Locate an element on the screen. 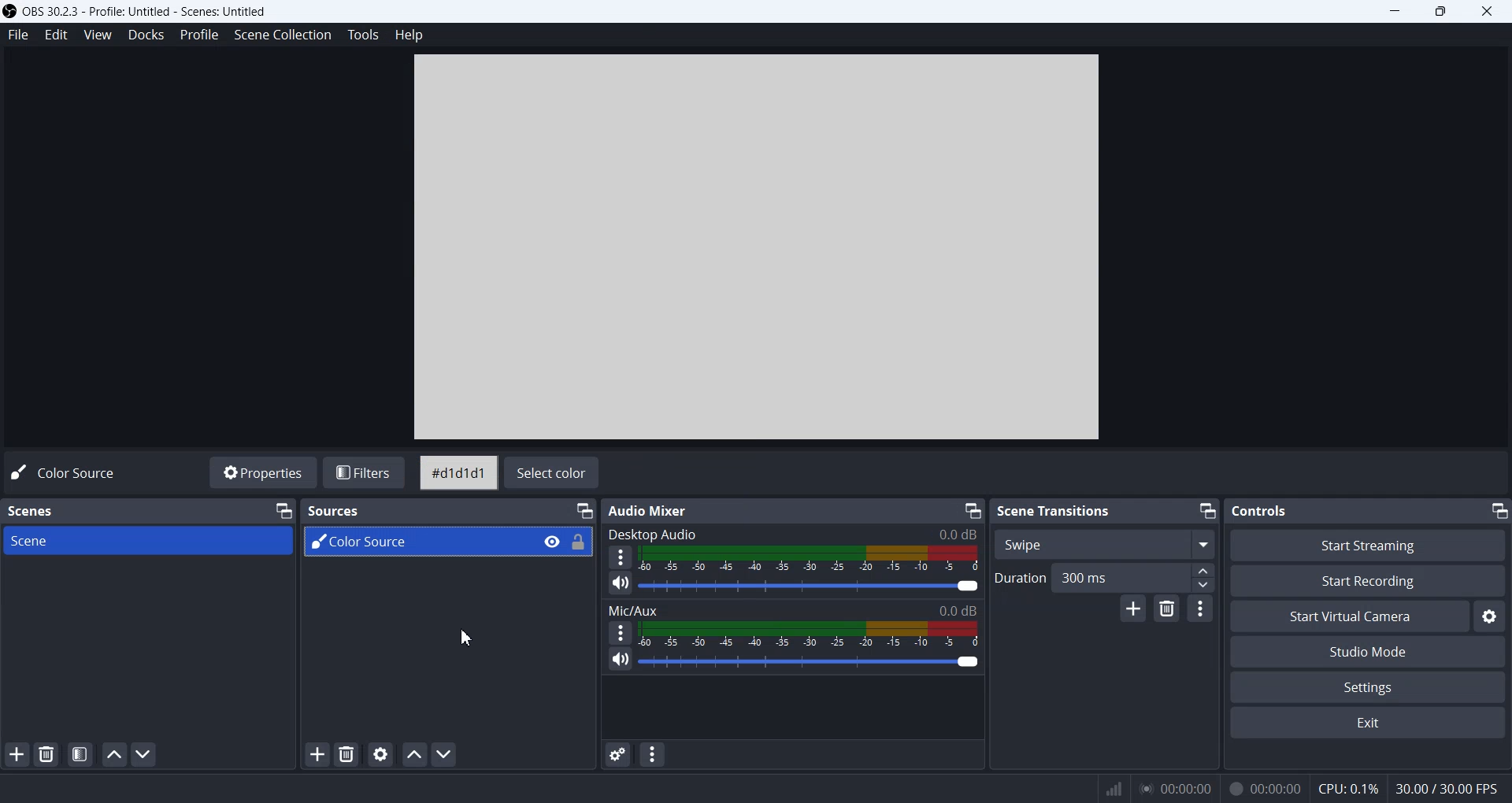 The height and width of the screenshot is (803, 1512). Move Source Down is located at coordinates (446, 754).